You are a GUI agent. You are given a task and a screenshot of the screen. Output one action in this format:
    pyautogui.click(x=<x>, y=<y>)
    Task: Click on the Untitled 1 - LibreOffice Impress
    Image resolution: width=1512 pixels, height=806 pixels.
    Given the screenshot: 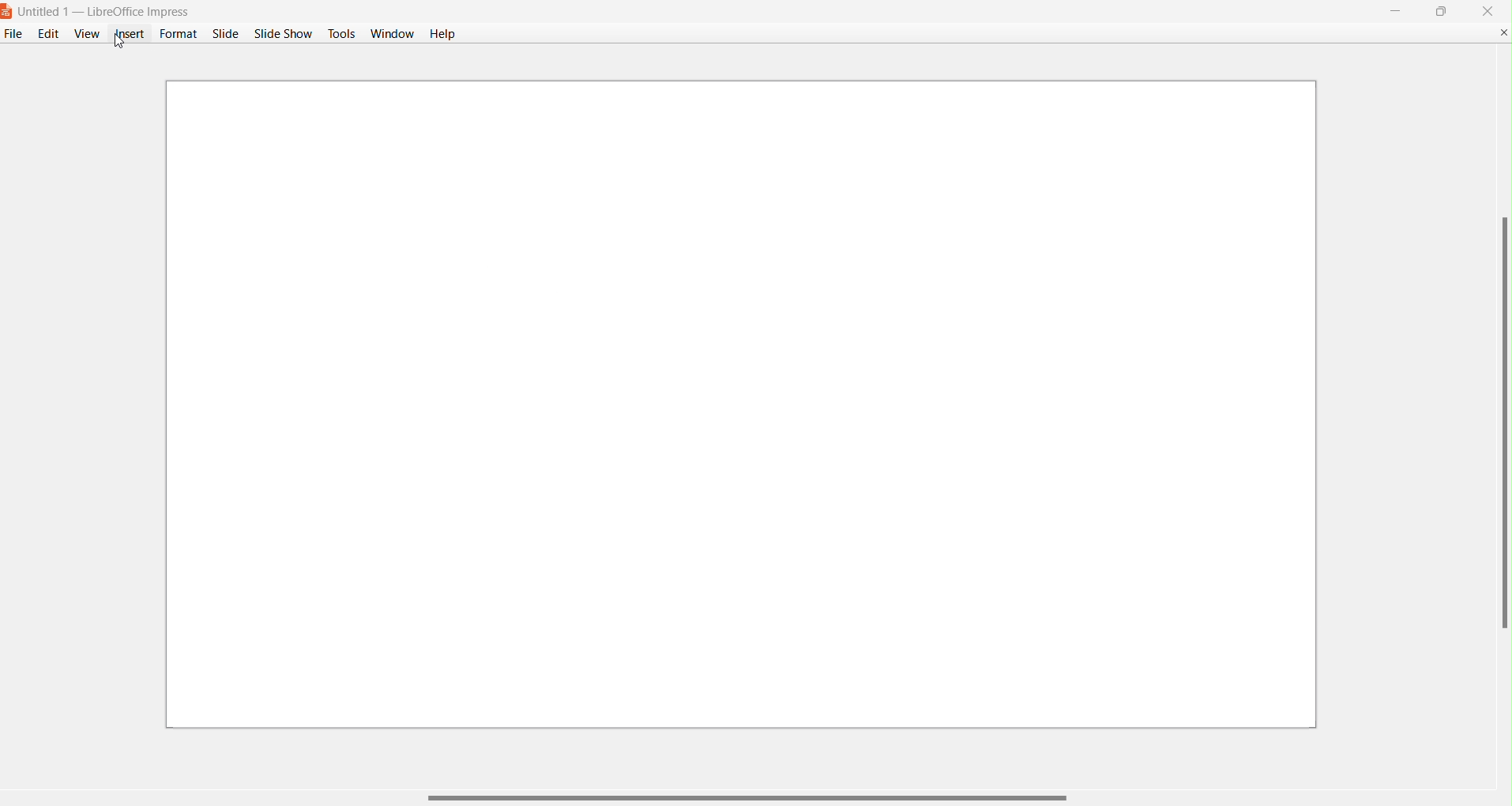 What is the action you would take?
    pyautogui.click(x=106, y=13)
    